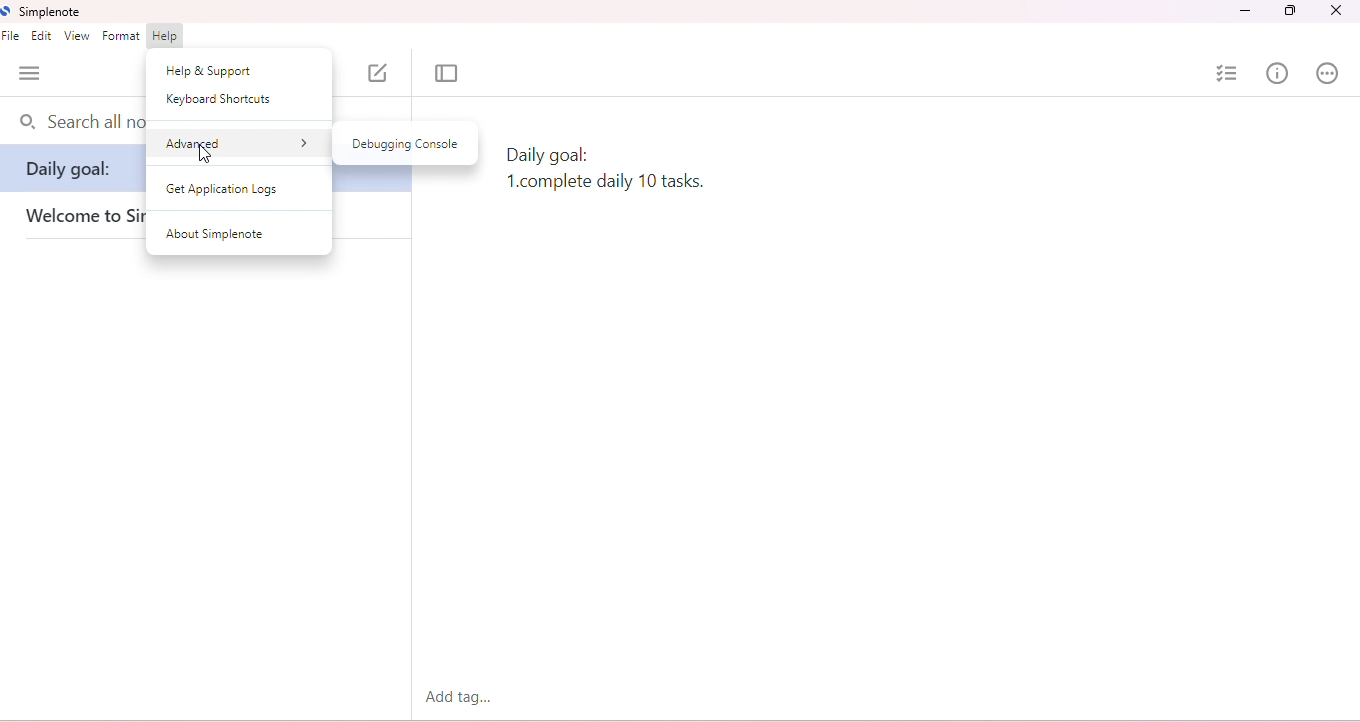  What do you see at coordinates (1227, 73) in the screenshot?
I see `insert checklist` at bounding box center [1227, 73].